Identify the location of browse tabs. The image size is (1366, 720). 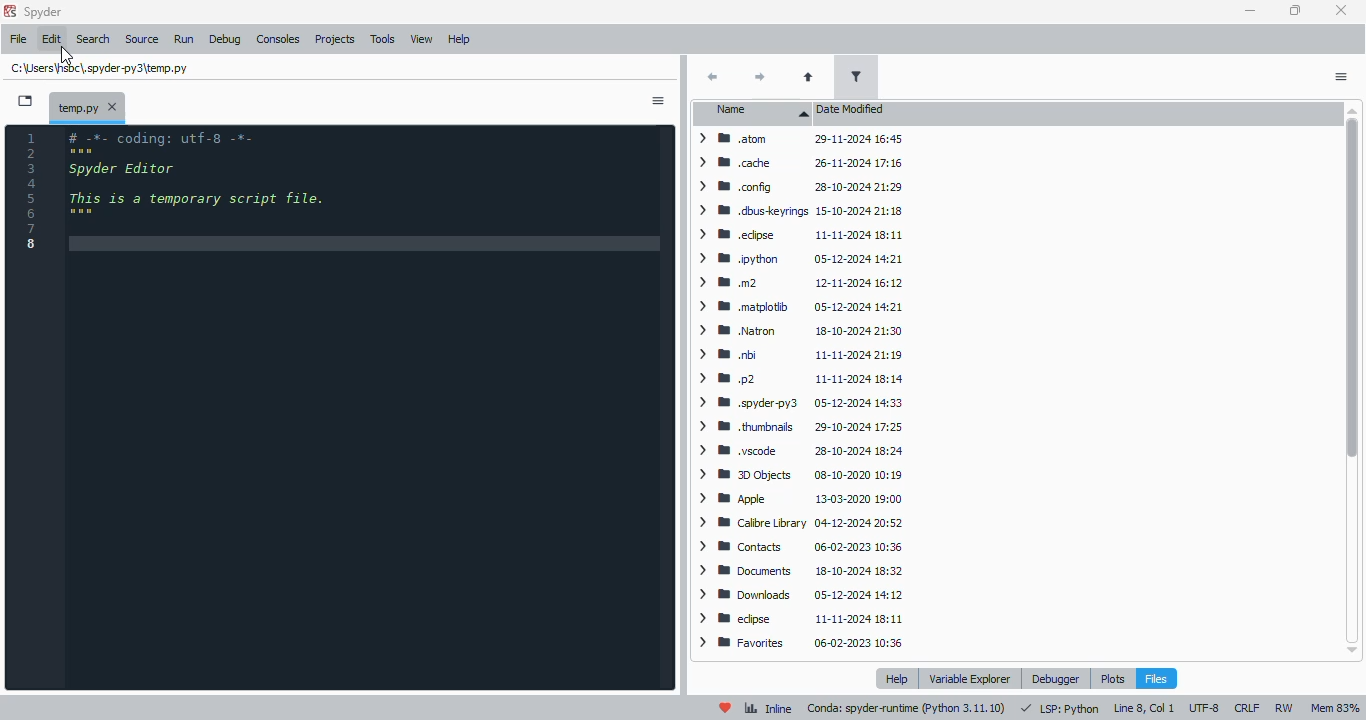
(24, 101).